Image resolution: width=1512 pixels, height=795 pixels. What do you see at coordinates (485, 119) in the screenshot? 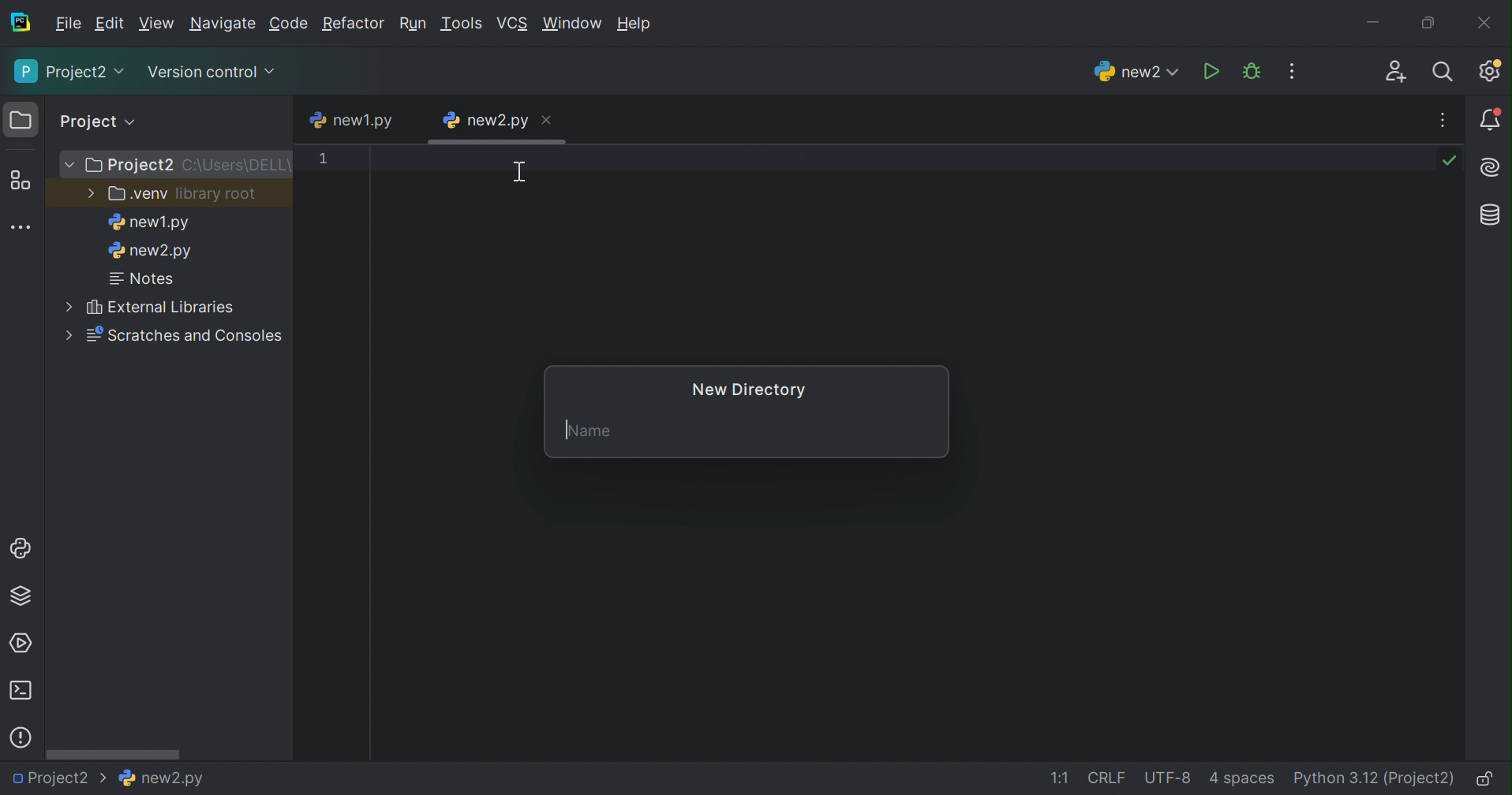
I see `new2.py` at bounding box center [485, 119].